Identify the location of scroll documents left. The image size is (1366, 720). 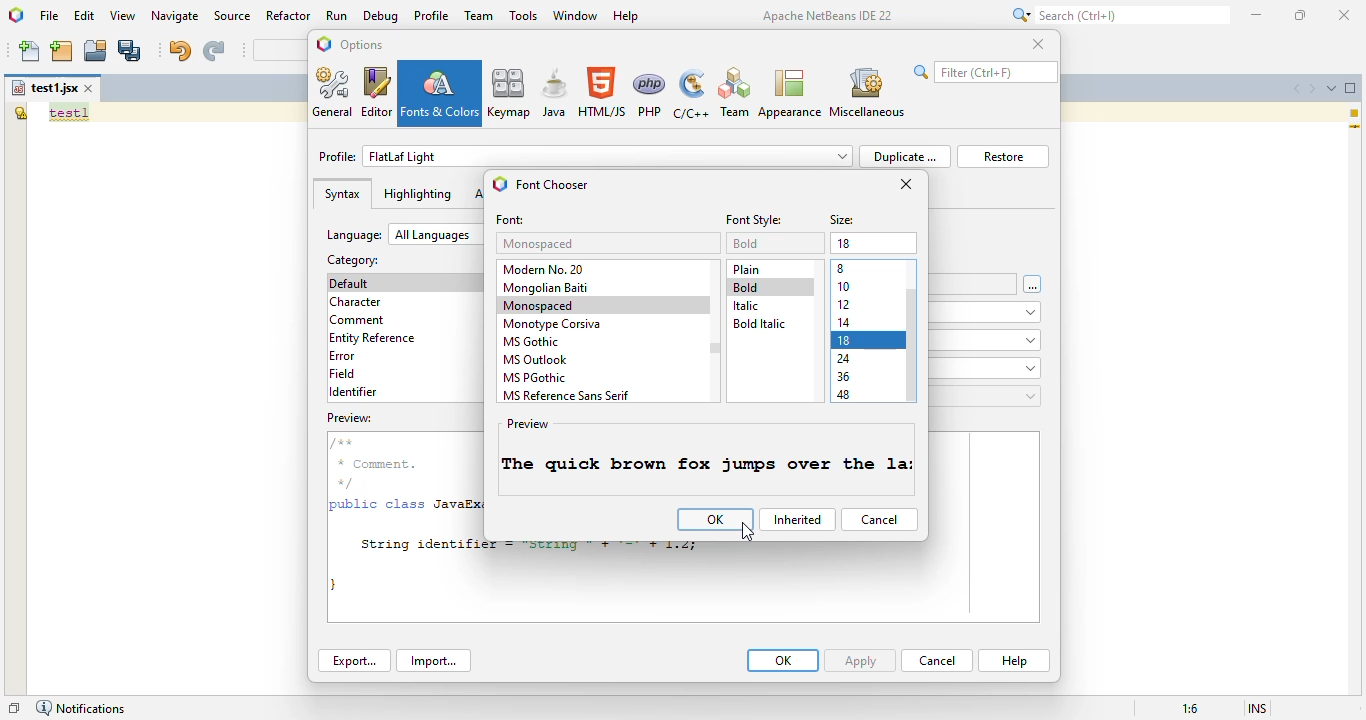
(1293, 88).